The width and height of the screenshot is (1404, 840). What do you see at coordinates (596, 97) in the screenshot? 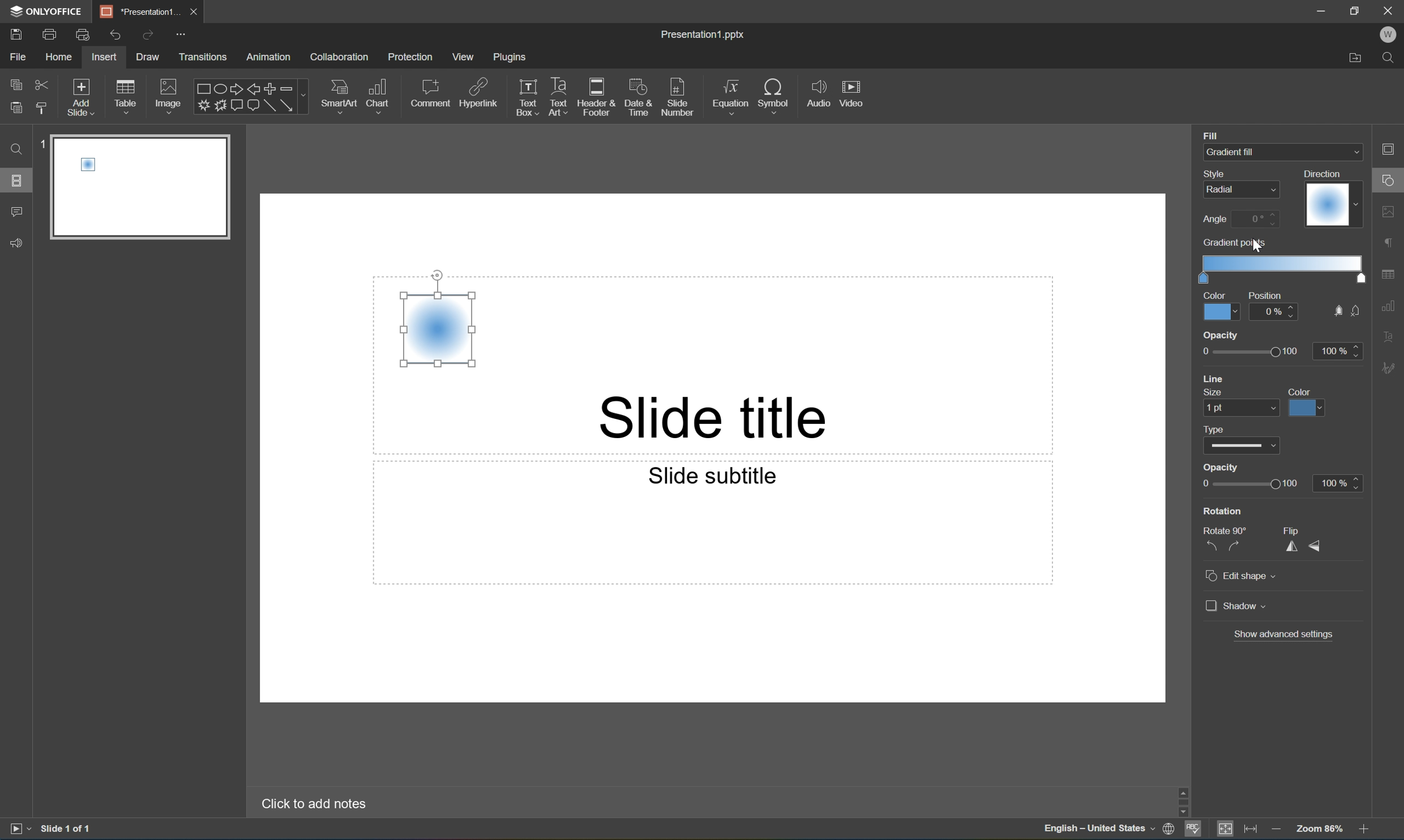
I see `Header & Footer` at bounding box center [596, 97].